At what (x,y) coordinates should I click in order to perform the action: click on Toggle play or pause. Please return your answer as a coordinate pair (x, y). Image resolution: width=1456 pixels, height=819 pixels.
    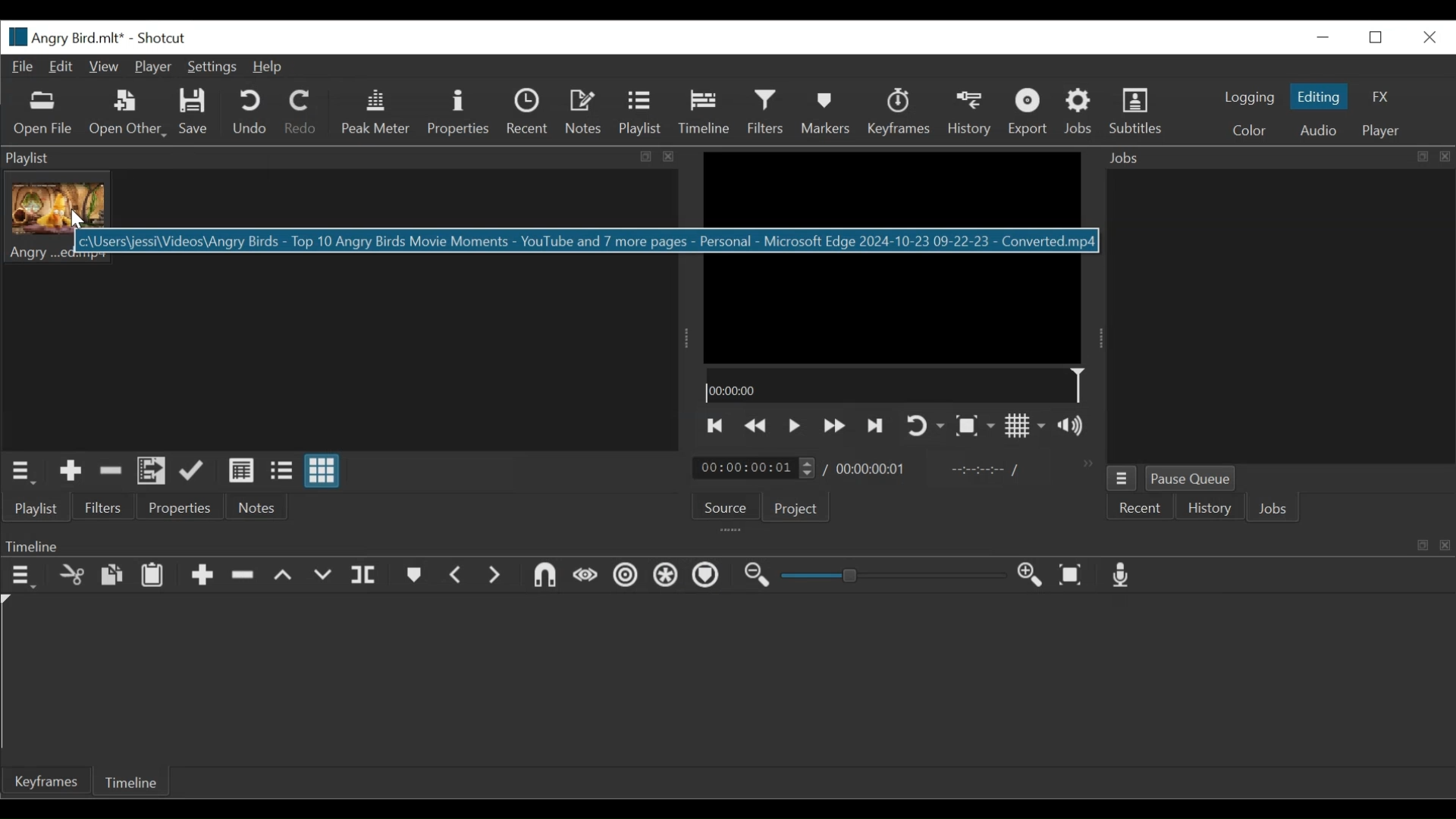
    Looking at the image, I should click on (795, 425).